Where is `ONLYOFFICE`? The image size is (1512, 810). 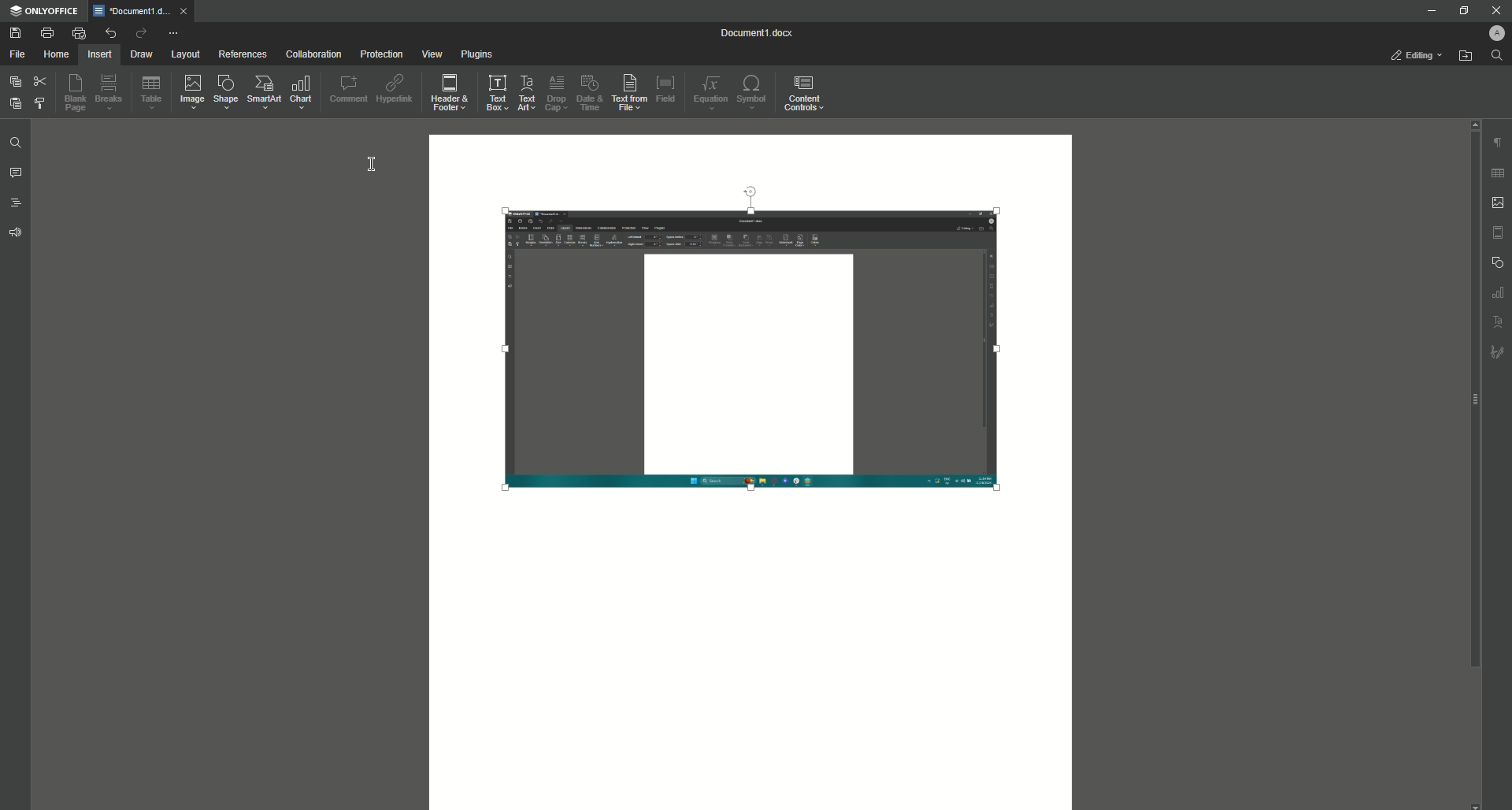
ONLYOFFICE is located at coordinates (43, 12).